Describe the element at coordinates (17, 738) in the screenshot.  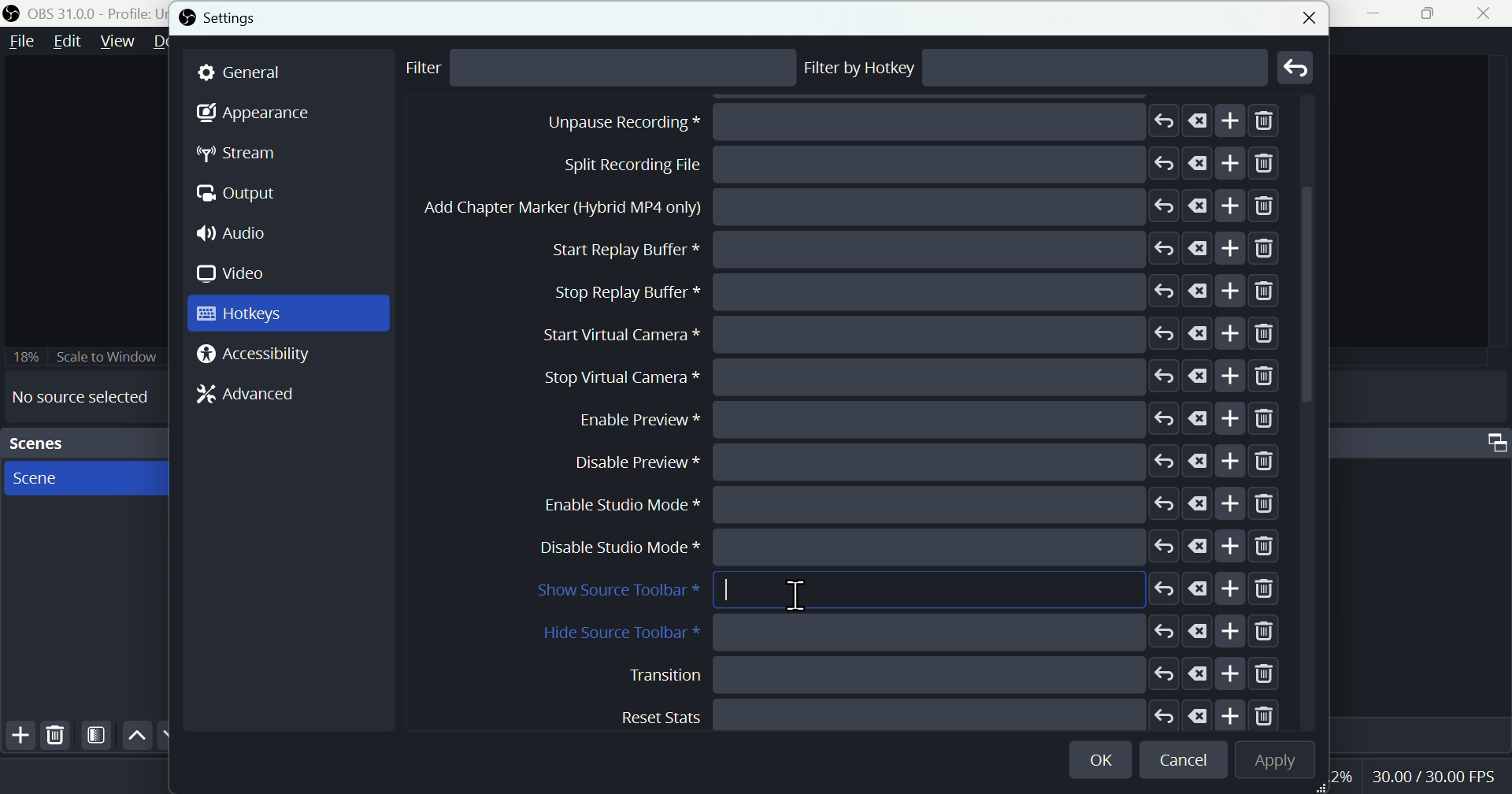
I see `Add` at that location.